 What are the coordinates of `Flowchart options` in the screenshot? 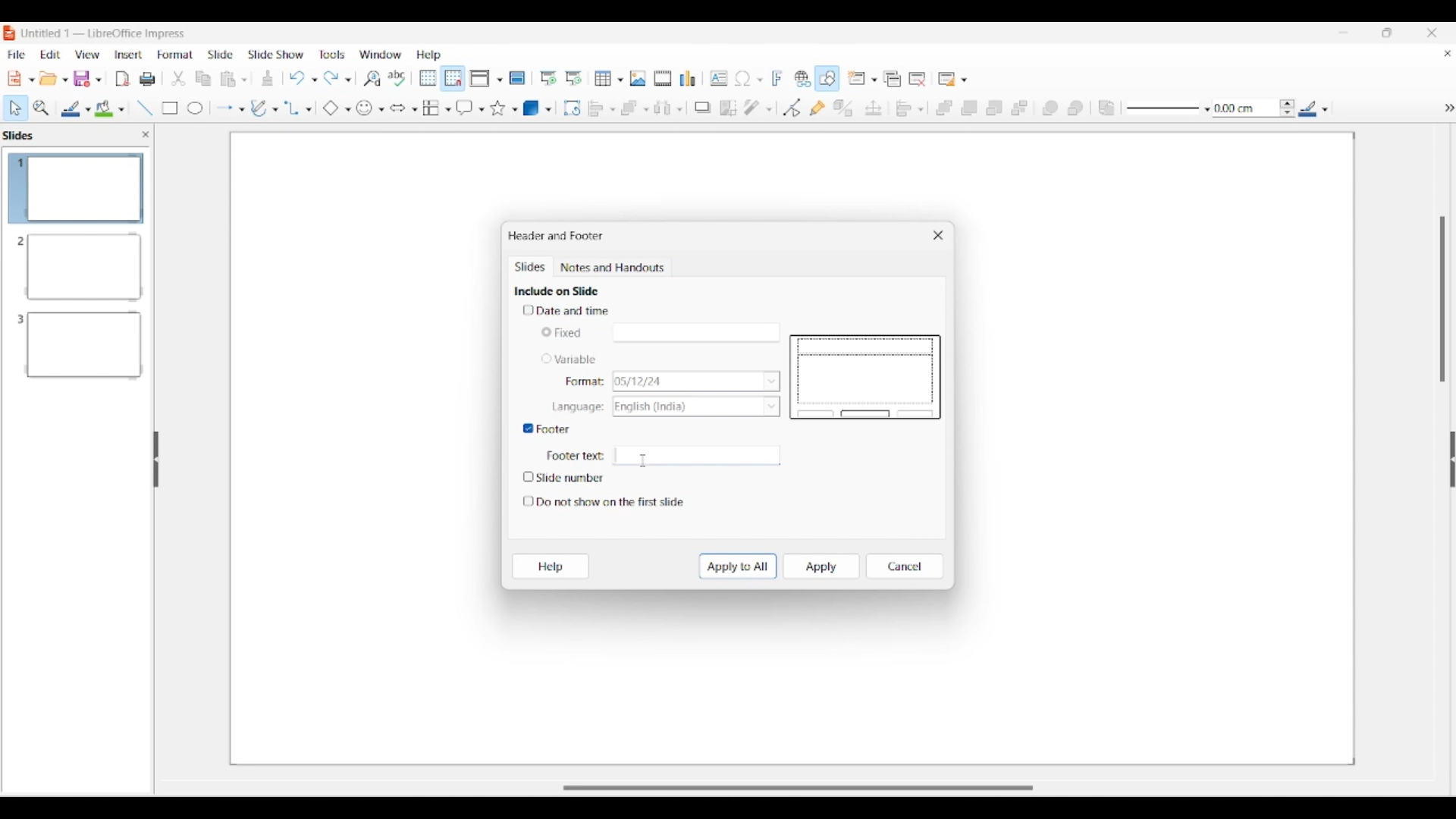 It's located at (436, 108).